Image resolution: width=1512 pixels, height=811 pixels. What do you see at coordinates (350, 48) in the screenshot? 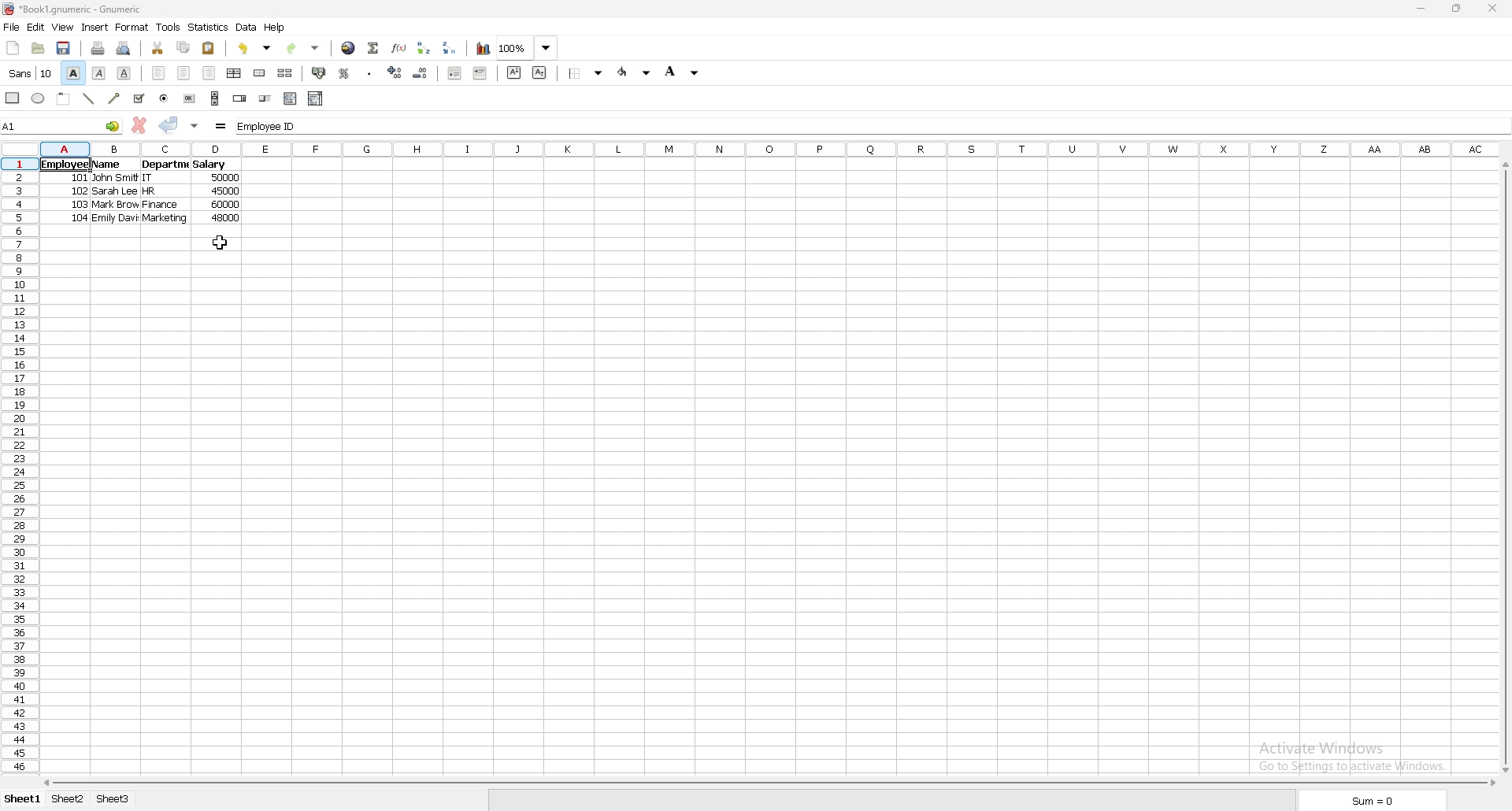
I see `hyperlink` at bounding box center [350, 48].